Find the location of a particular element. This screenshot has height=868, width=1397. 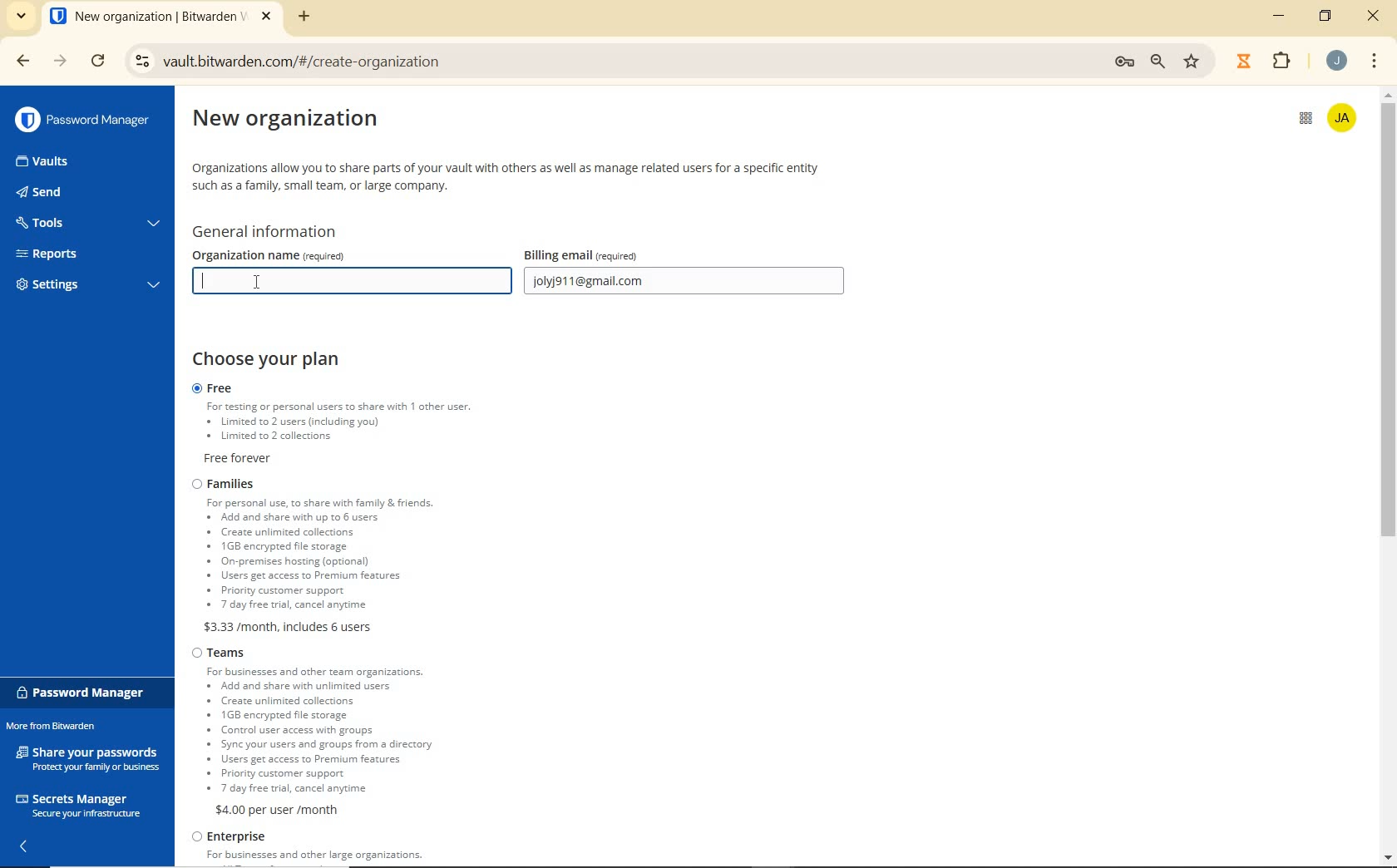

search tabs is located at coordinates (21, 17).